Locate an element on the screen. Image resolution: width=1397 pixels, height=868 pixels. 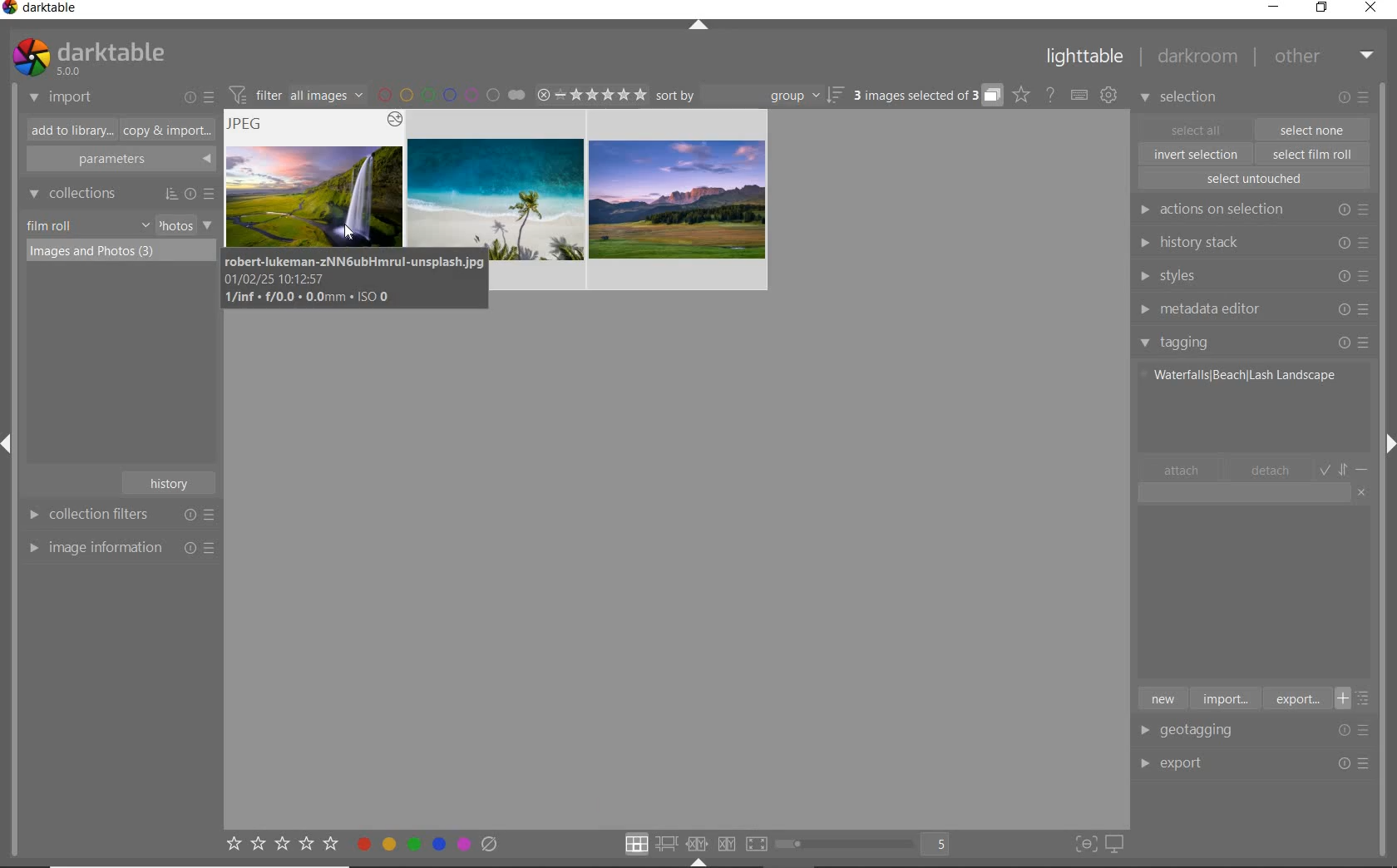
select film roll is located at coordinates (1313, 152).